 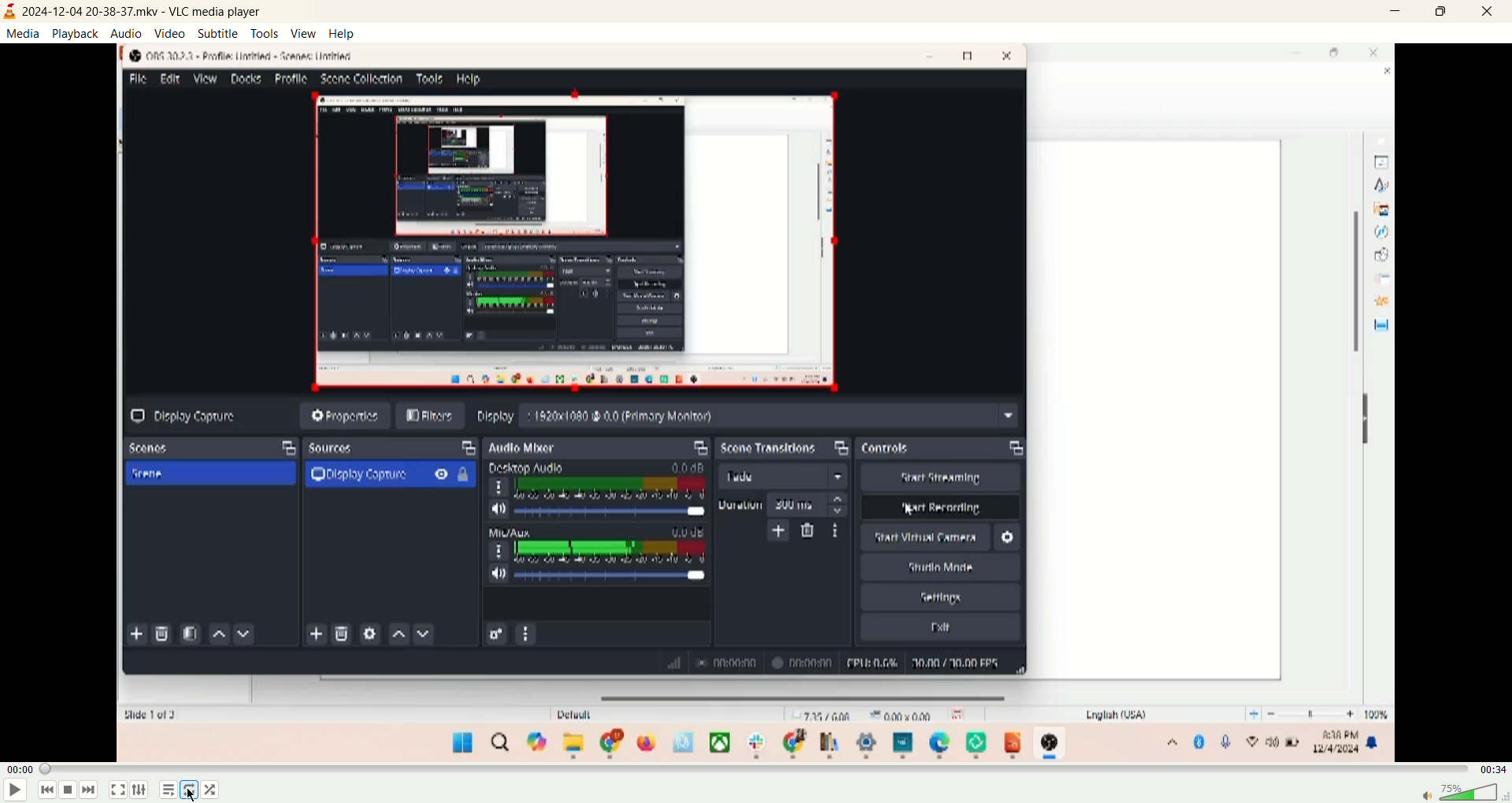 What do you see at coordinates (20, 770) in the screenshot?
I see `elapsed time` at bounding box center [20, 770].